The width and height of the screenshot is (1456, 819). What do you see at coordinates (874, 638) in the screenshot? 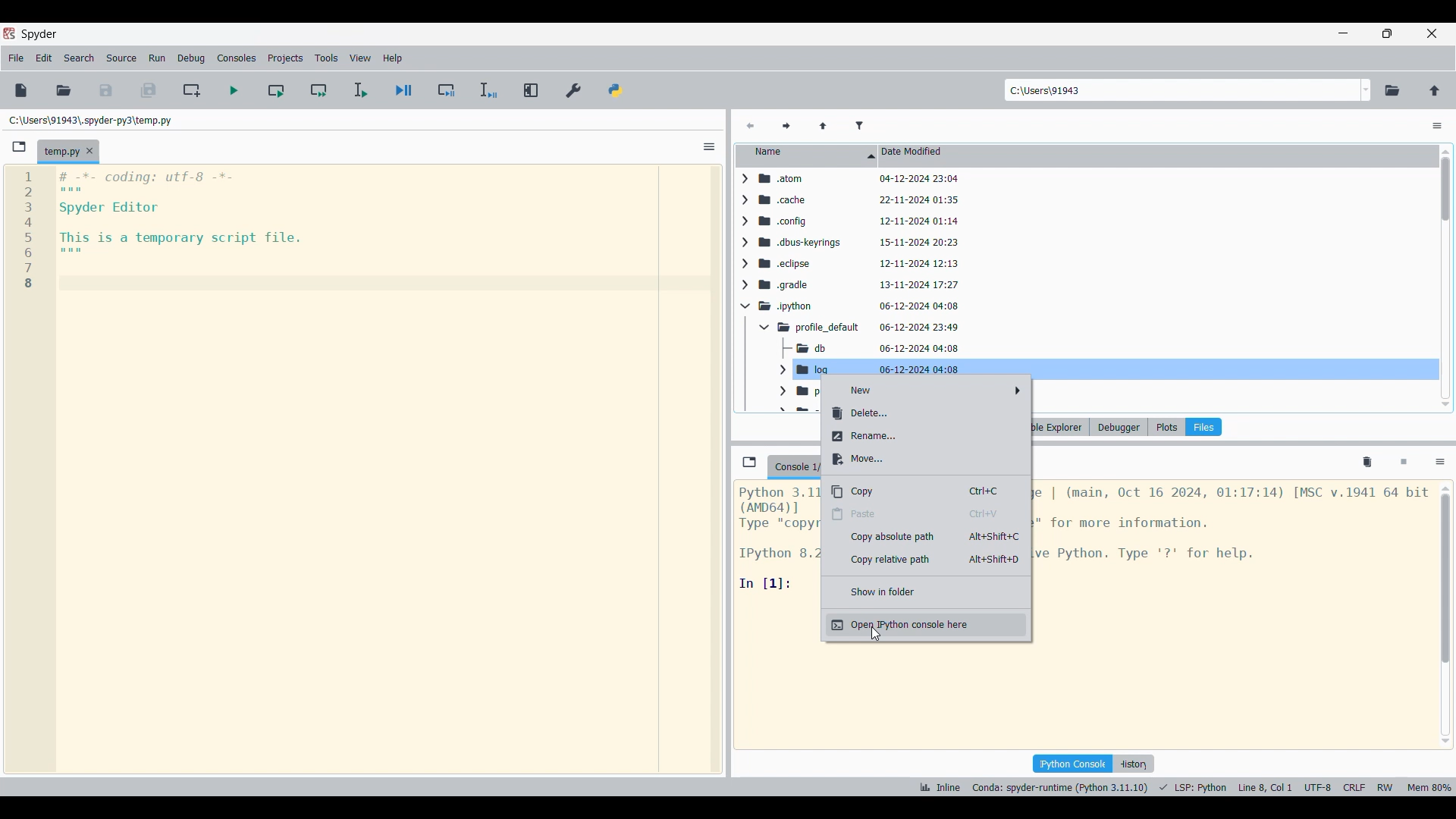
I see `cursor` at bounding box center [874, 638].